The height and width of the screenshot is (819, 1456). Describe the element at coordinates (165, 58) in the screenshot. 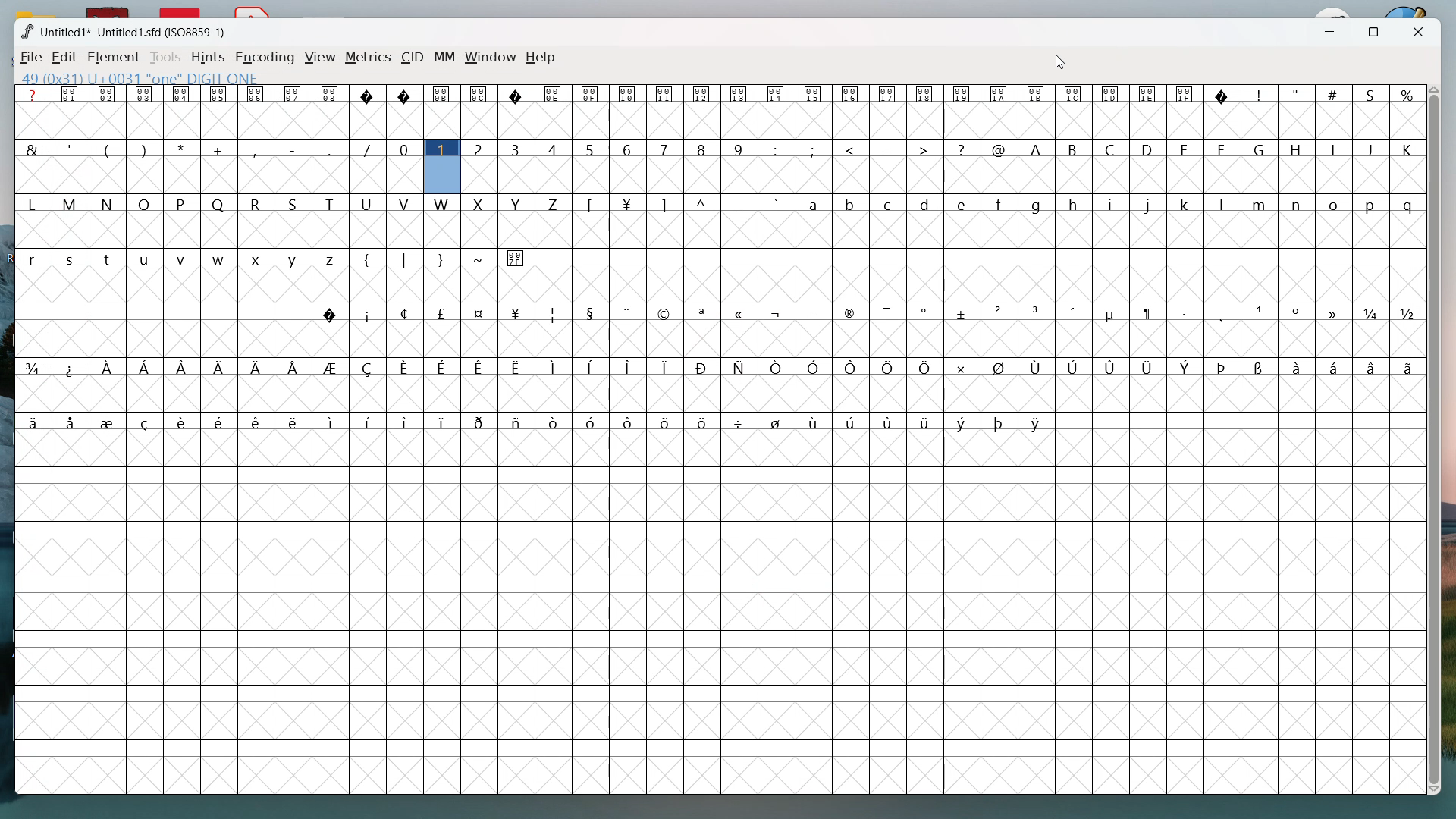

I see `tools` at that location.